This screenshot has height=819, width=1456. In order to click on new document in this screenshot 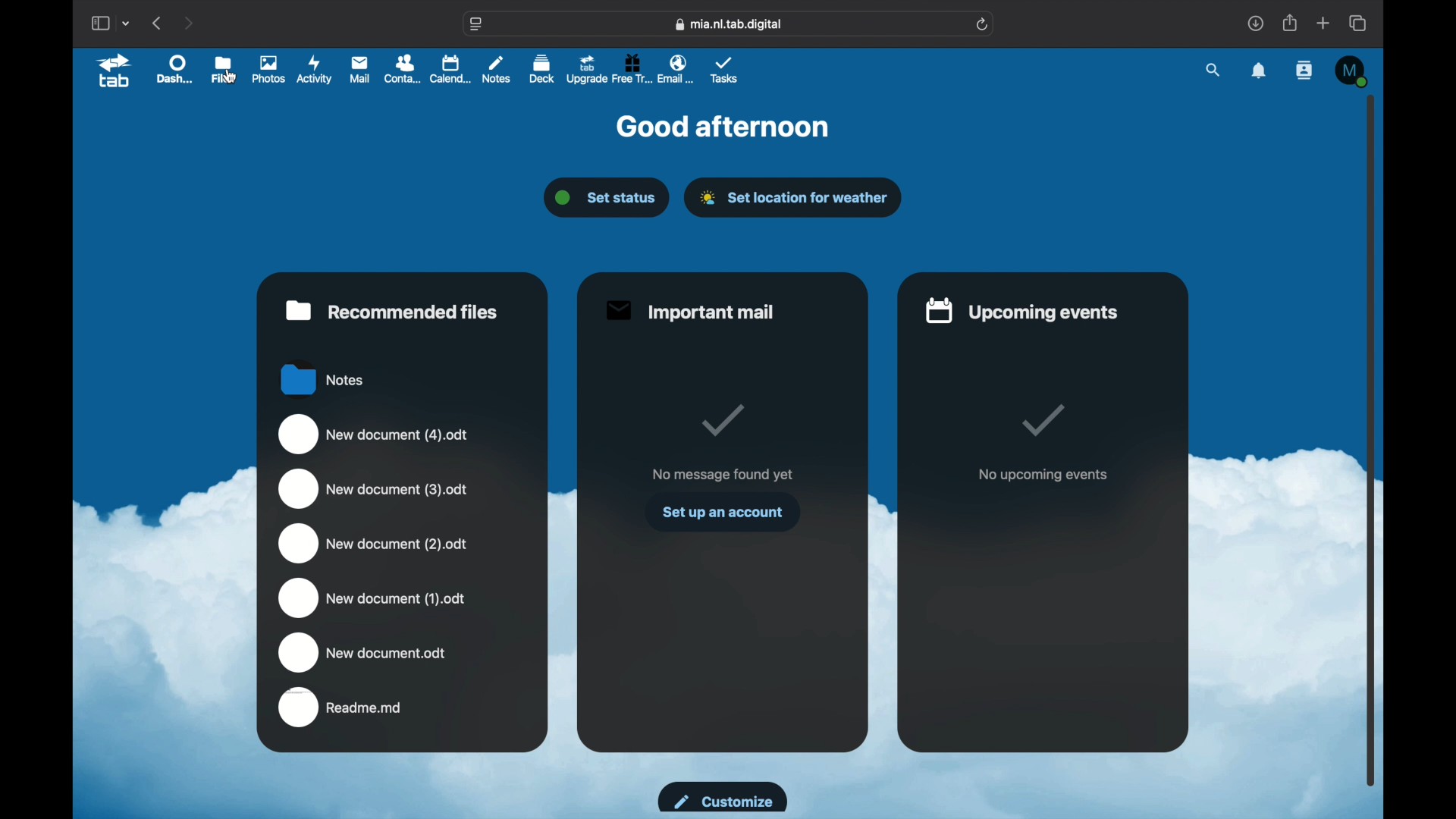, I will do `click(363, 653)`.